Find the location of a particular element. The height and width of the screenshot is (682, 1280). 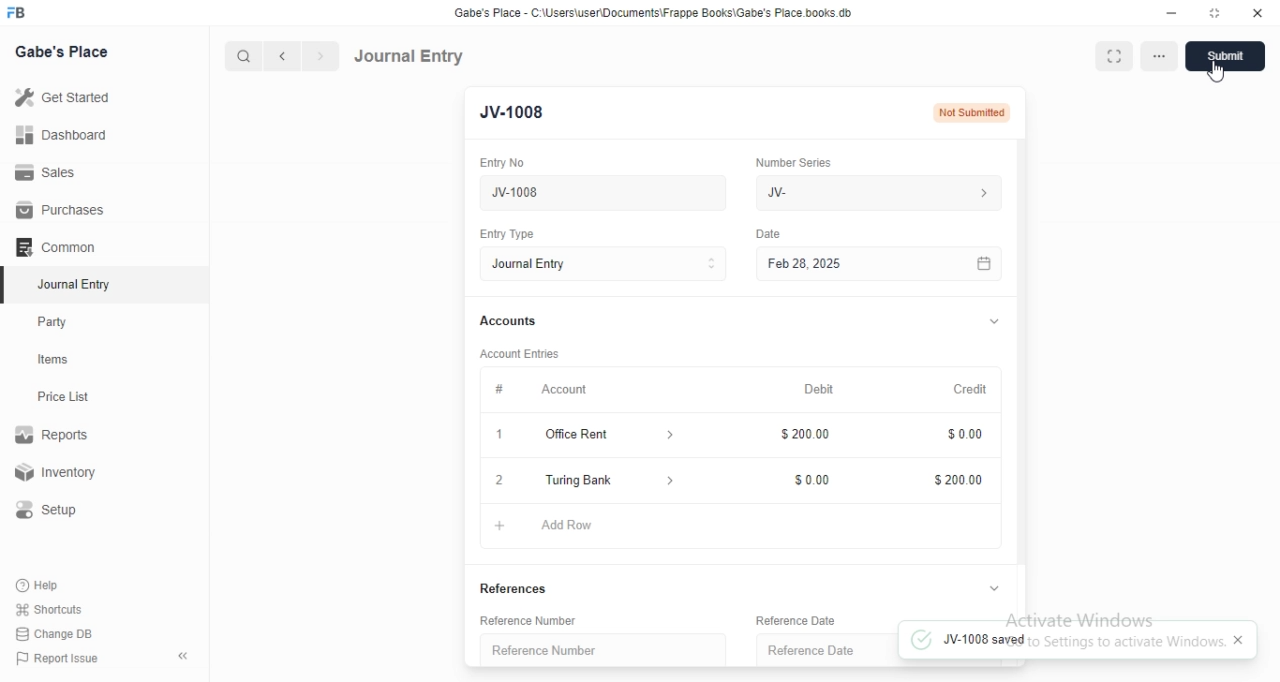

Party is located at coordinates (57, 322).